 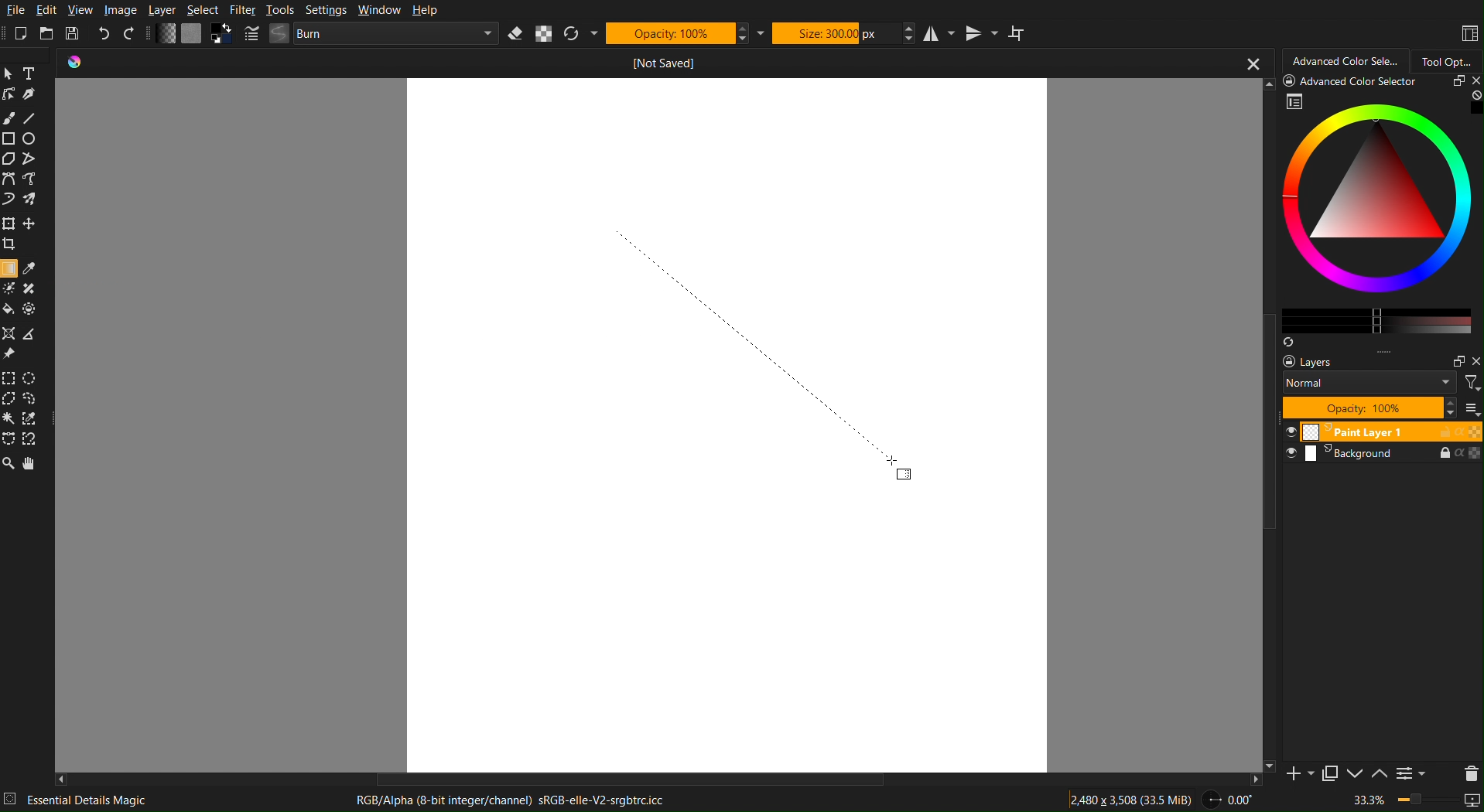 What do you see at coordinates (105, 34) in the screenshot?
I see `Undo` at bounding box center [105, 34].